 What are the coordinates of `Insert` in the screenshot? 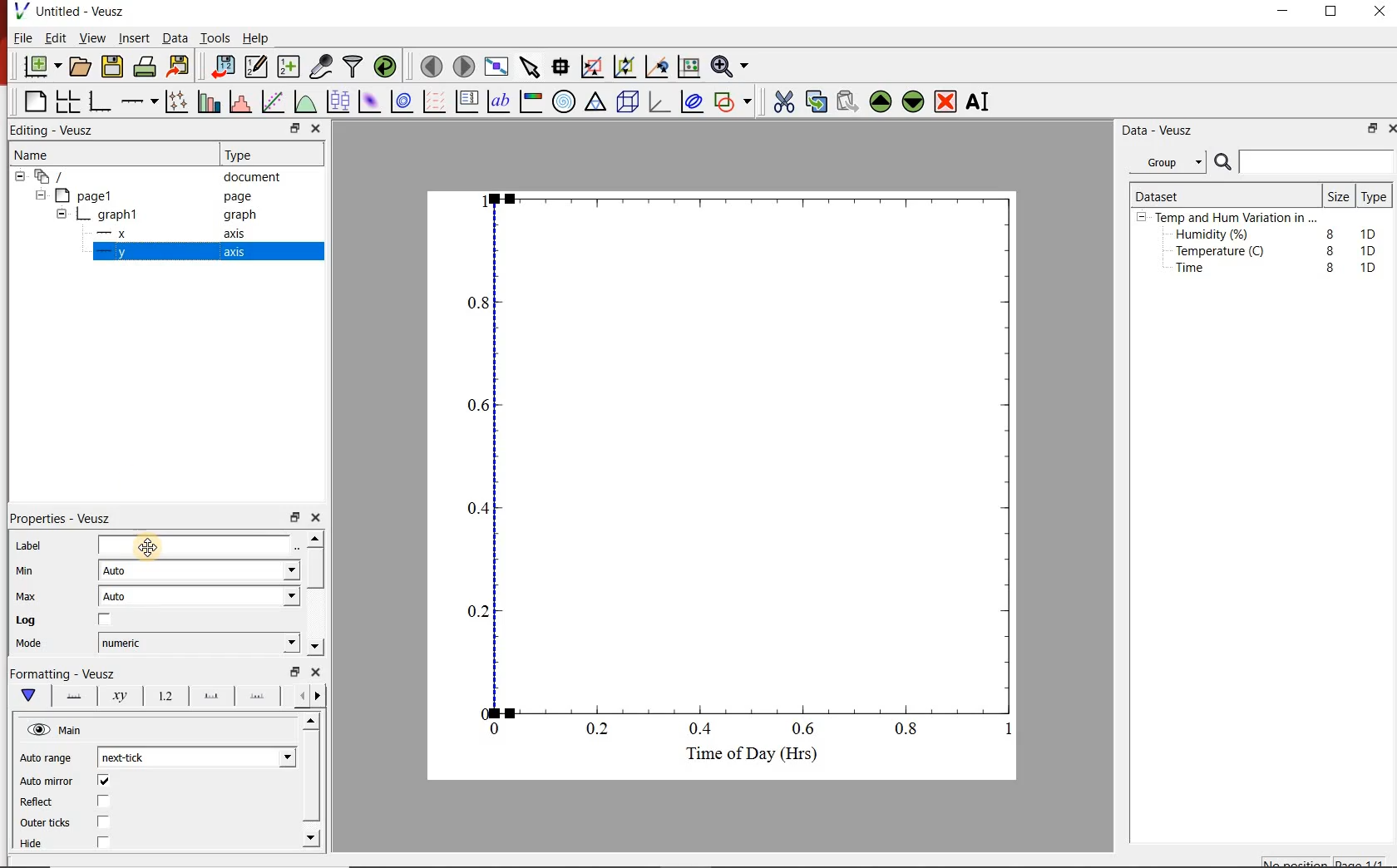 It's located at (131, 38).